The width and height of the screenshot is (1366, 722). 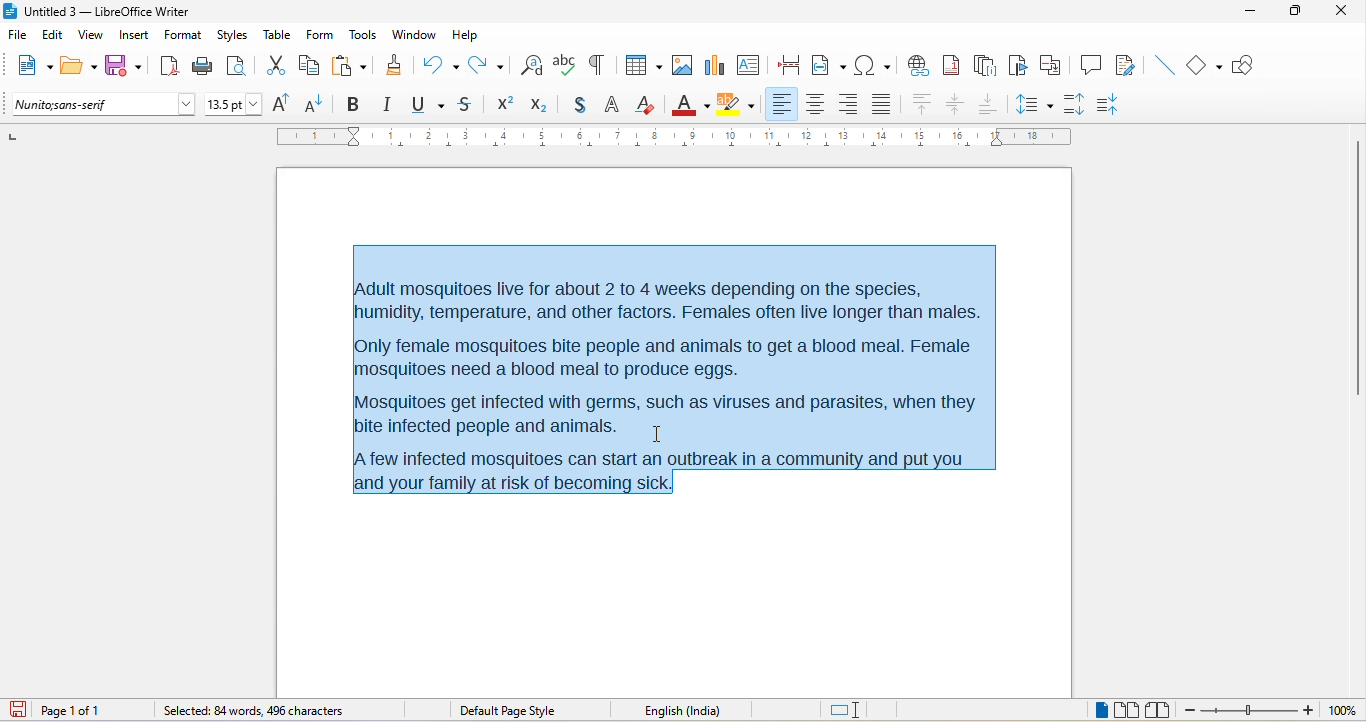 I want to click on align top, so click(x=923, y=105).